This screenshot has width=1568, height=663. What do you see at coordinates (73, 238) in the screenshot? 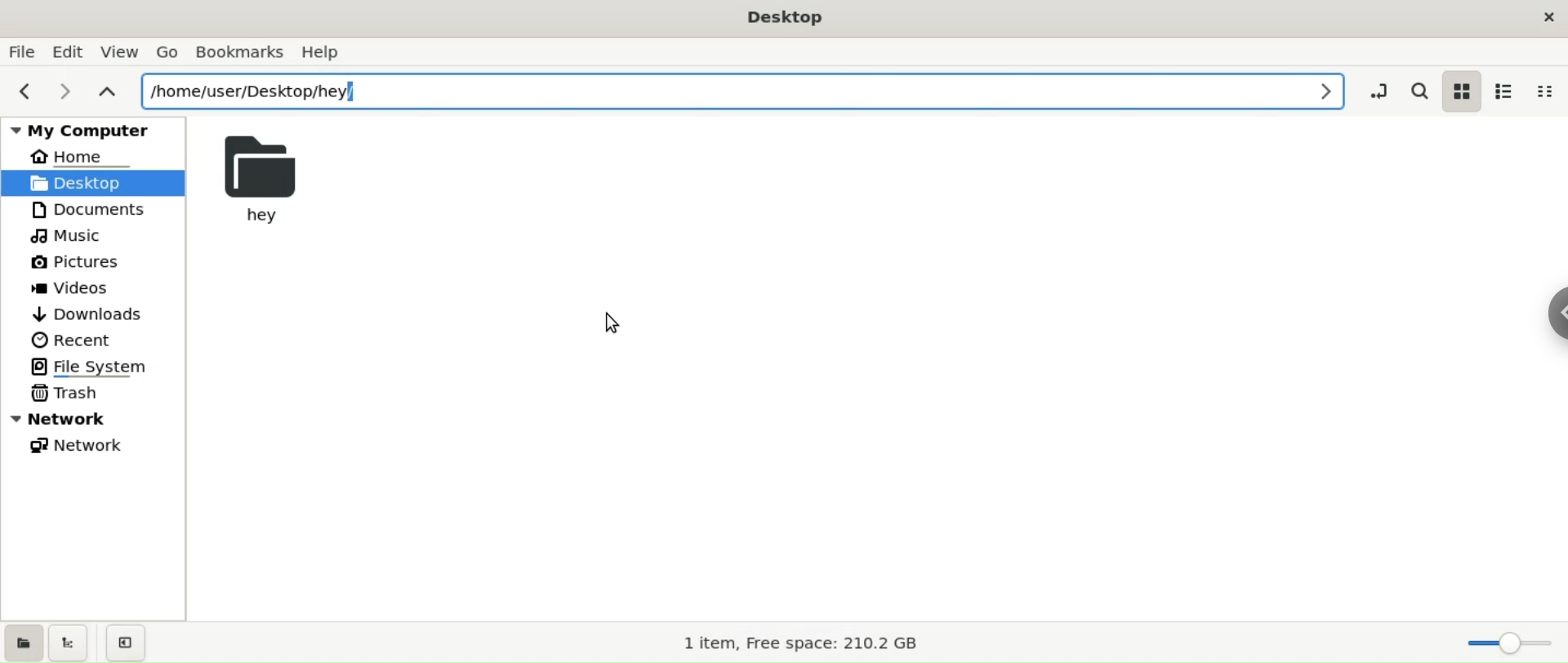
I see `muisc` at bounding box center [73, 238].